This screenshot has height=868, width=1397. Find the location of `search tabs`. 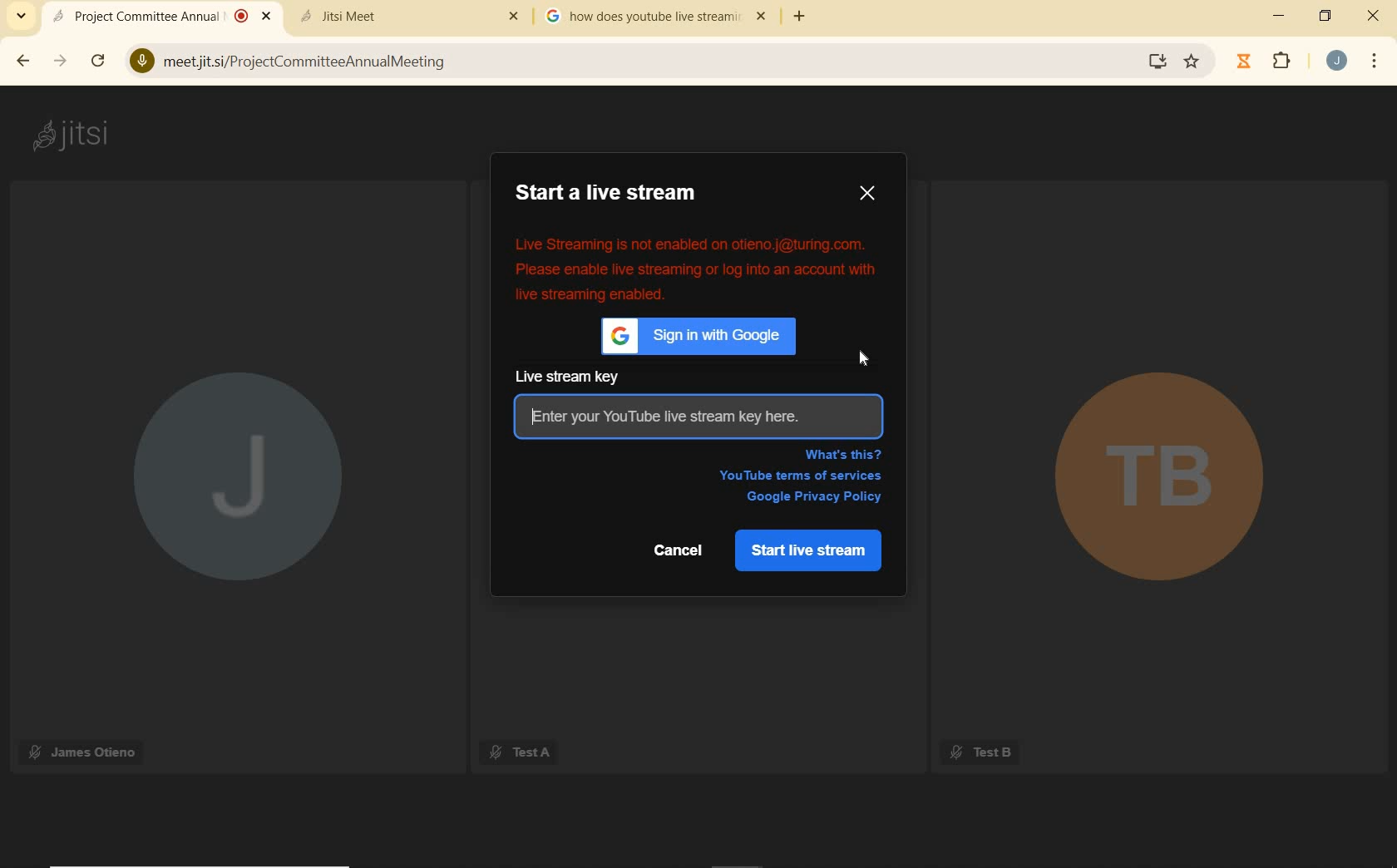

search tabs is located at coordinates (22, 17).